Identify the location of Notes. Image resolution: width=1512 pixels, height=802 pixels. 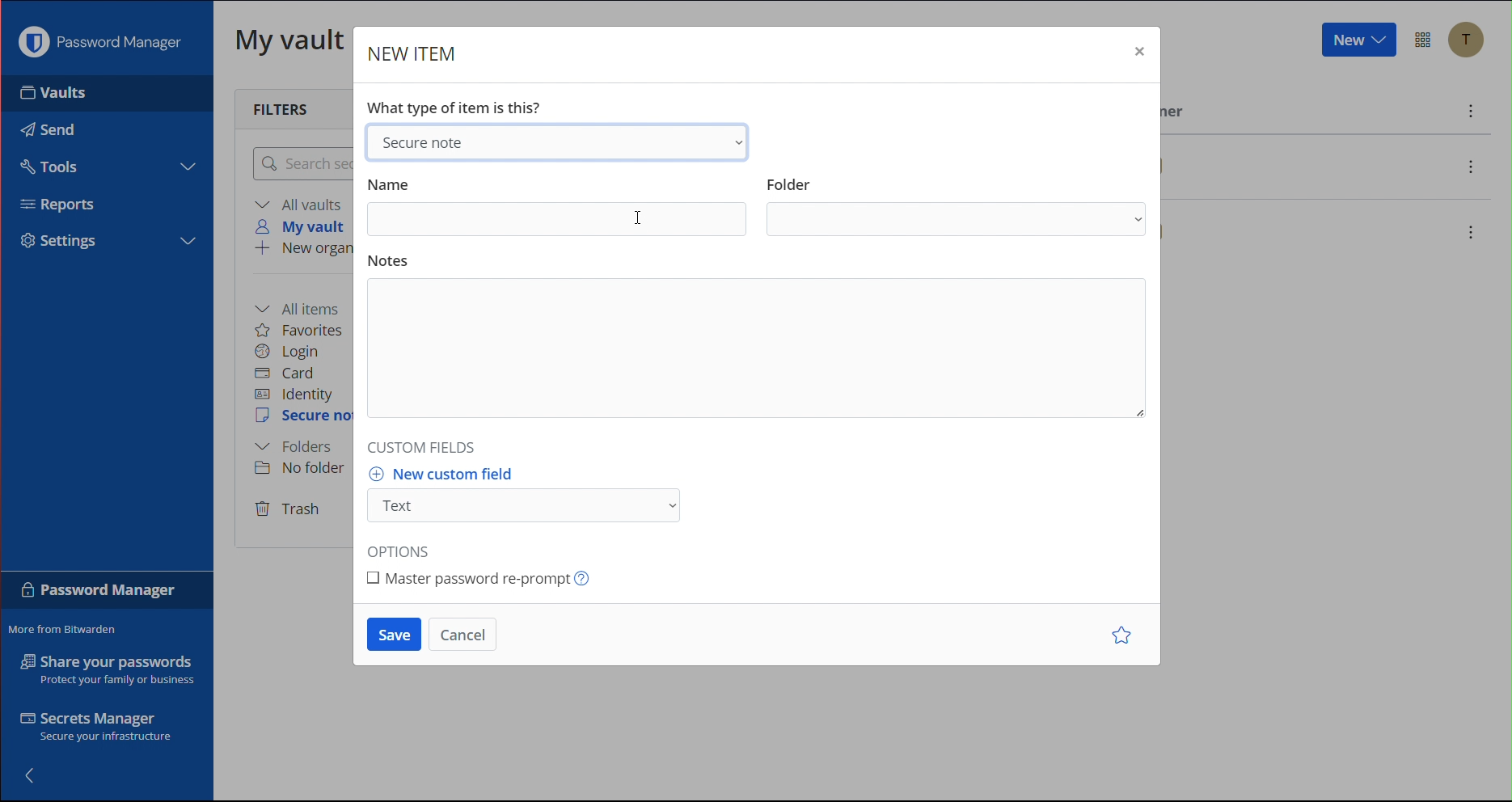
(760, 340).